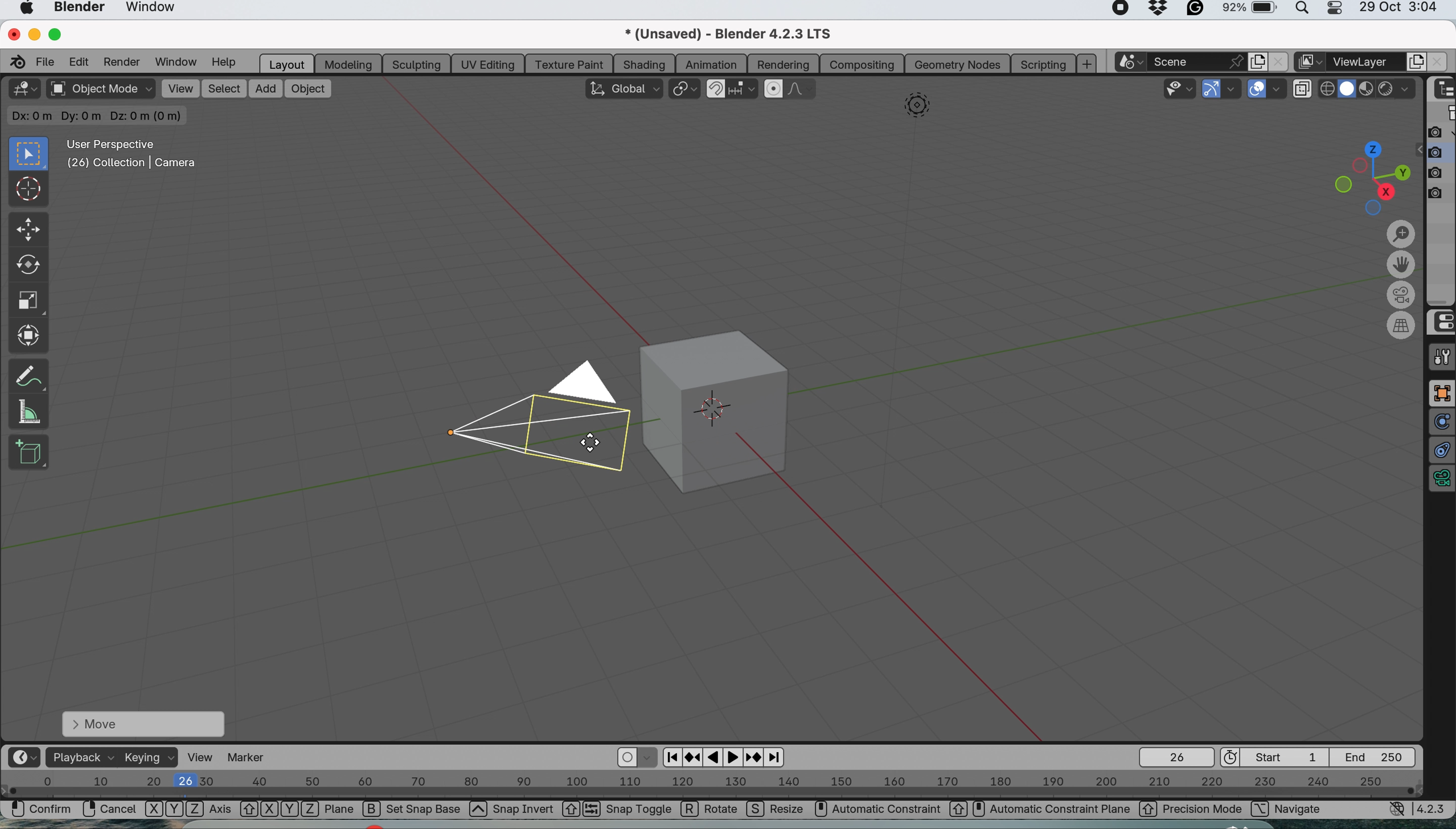 This screenshot has width=1456, height=829. What do you see at coordinates (1191, 810) in the screenshot?
I see `precision mode` at bounding box center [1191, 810].